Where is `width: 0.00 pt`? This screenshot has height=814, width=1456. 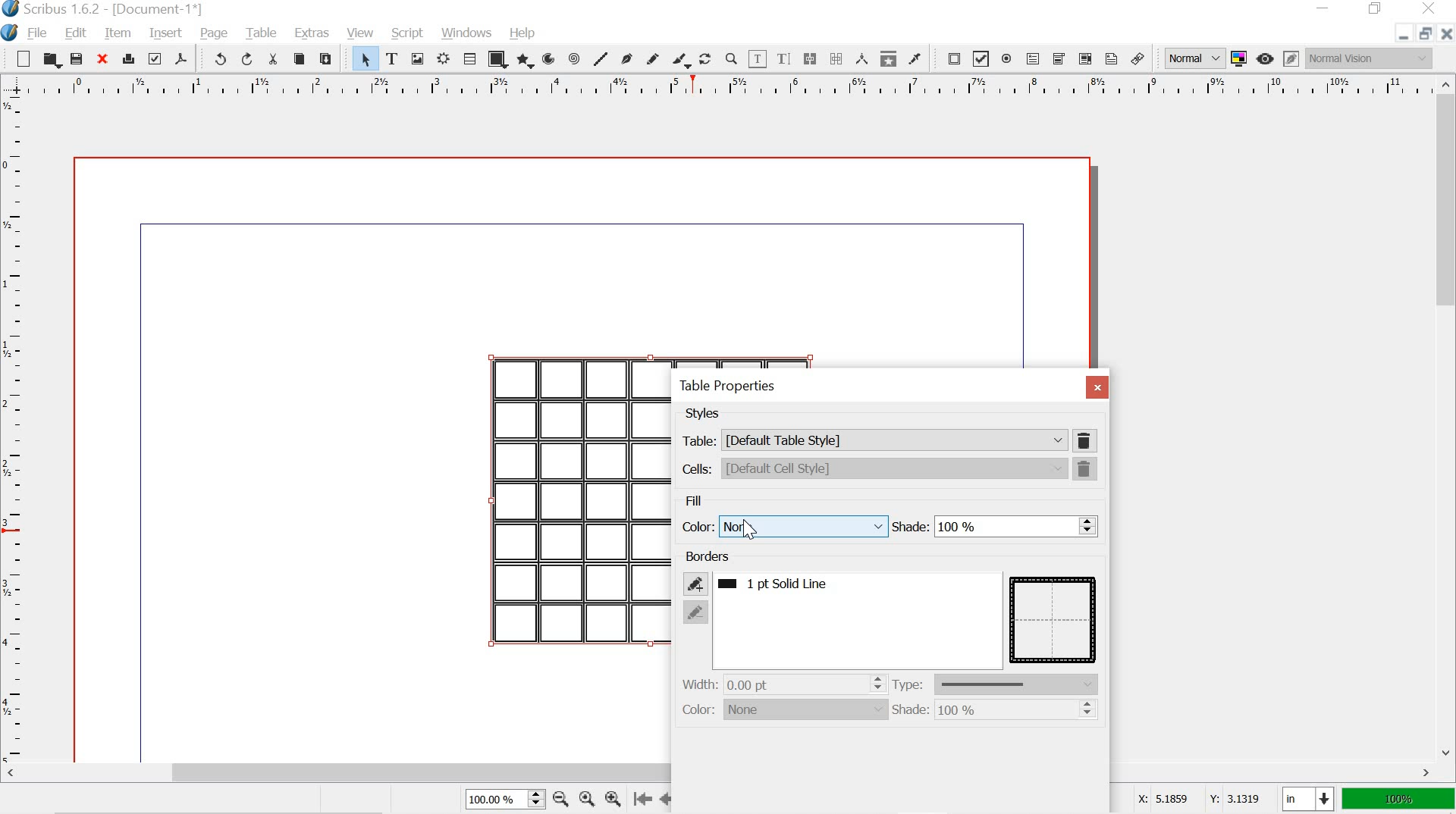 width: 0.00 pt is located at coordinates (739, 684).